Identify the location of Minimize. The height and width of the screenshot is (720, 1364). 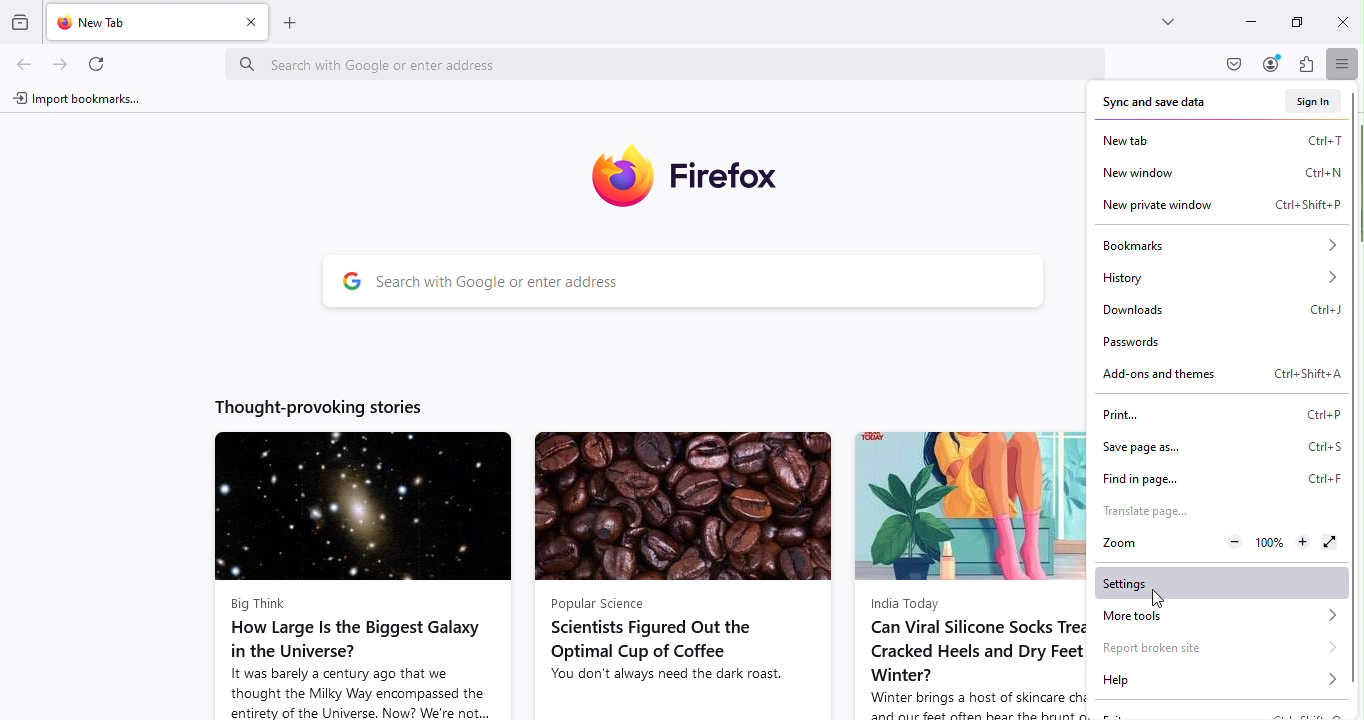
(1248, 21).